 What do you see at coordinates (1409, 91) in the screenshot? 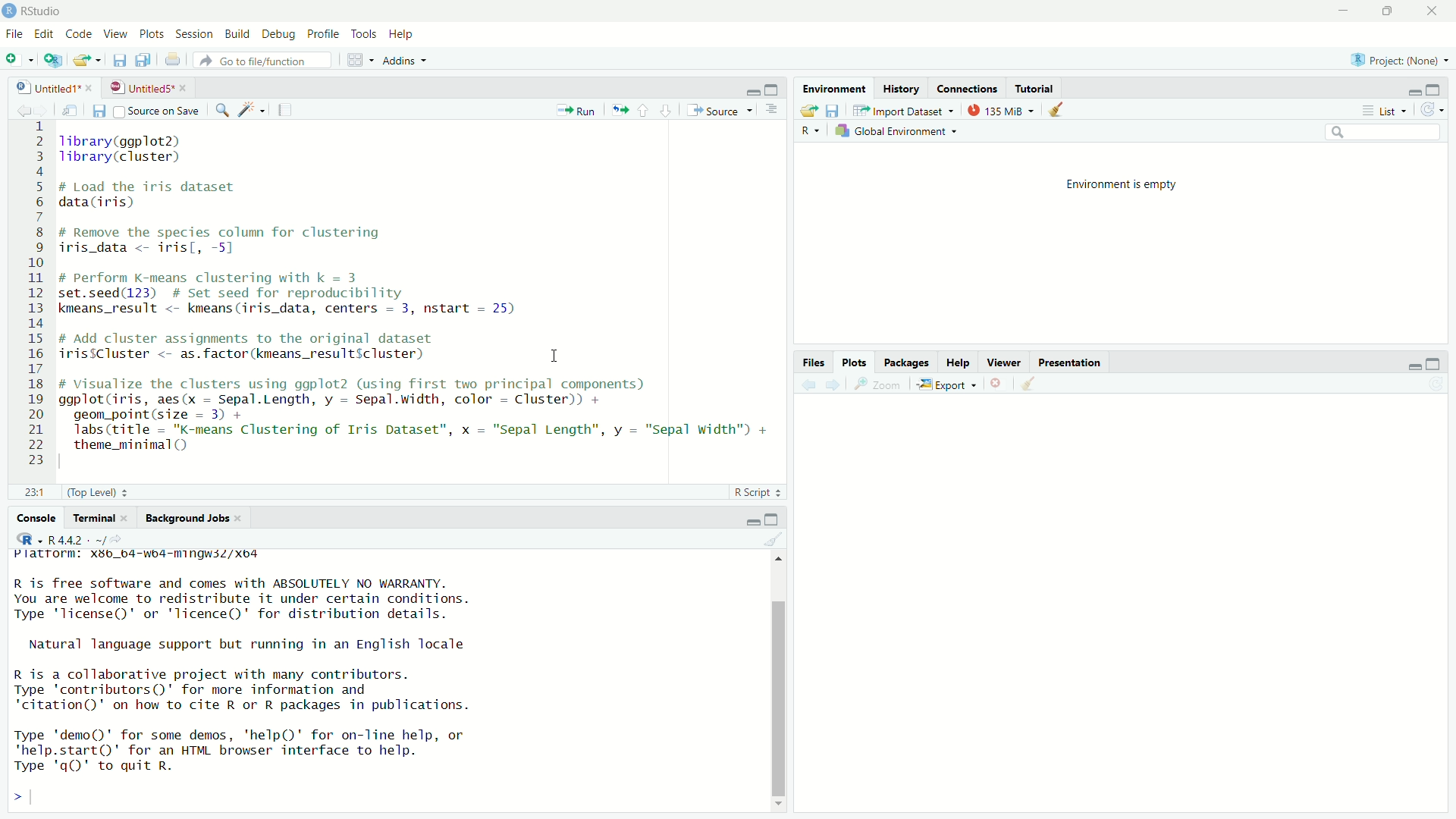
I see `minimize` at bounding box center [1409, 91].